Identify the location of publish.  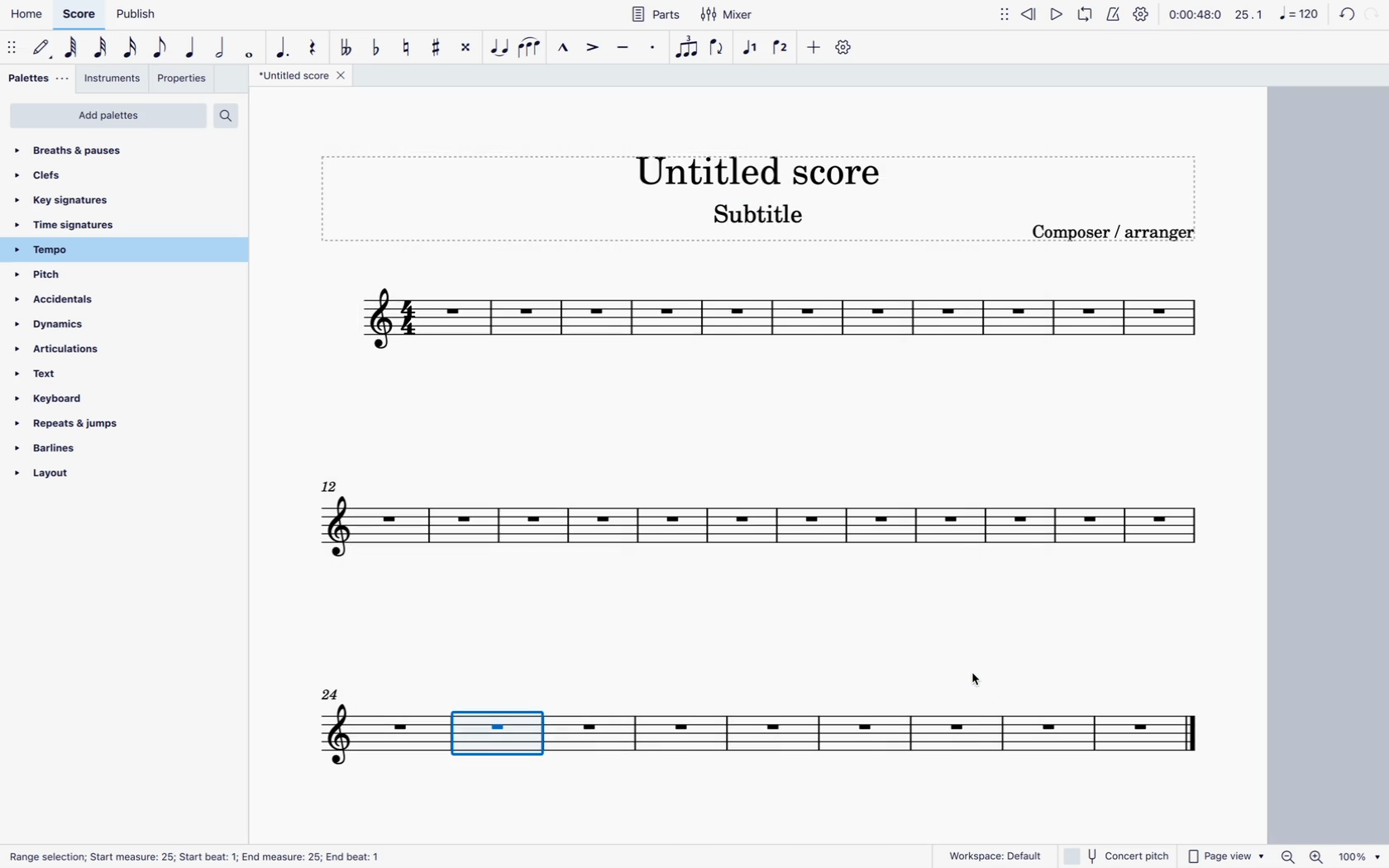
(133, 17).